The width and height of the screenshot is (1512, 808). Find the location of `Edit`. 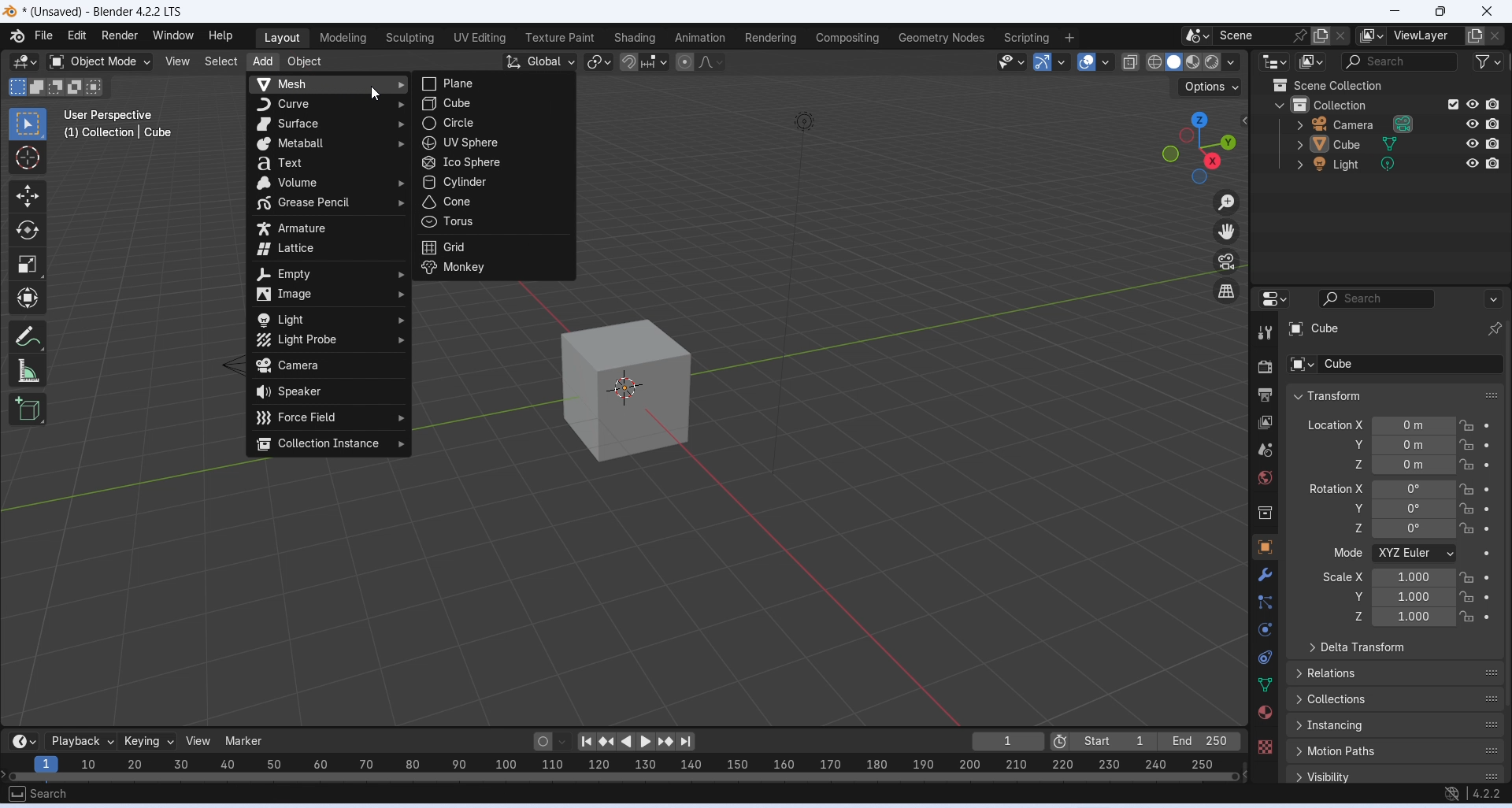

Edit is located at coordinates (77, 35).